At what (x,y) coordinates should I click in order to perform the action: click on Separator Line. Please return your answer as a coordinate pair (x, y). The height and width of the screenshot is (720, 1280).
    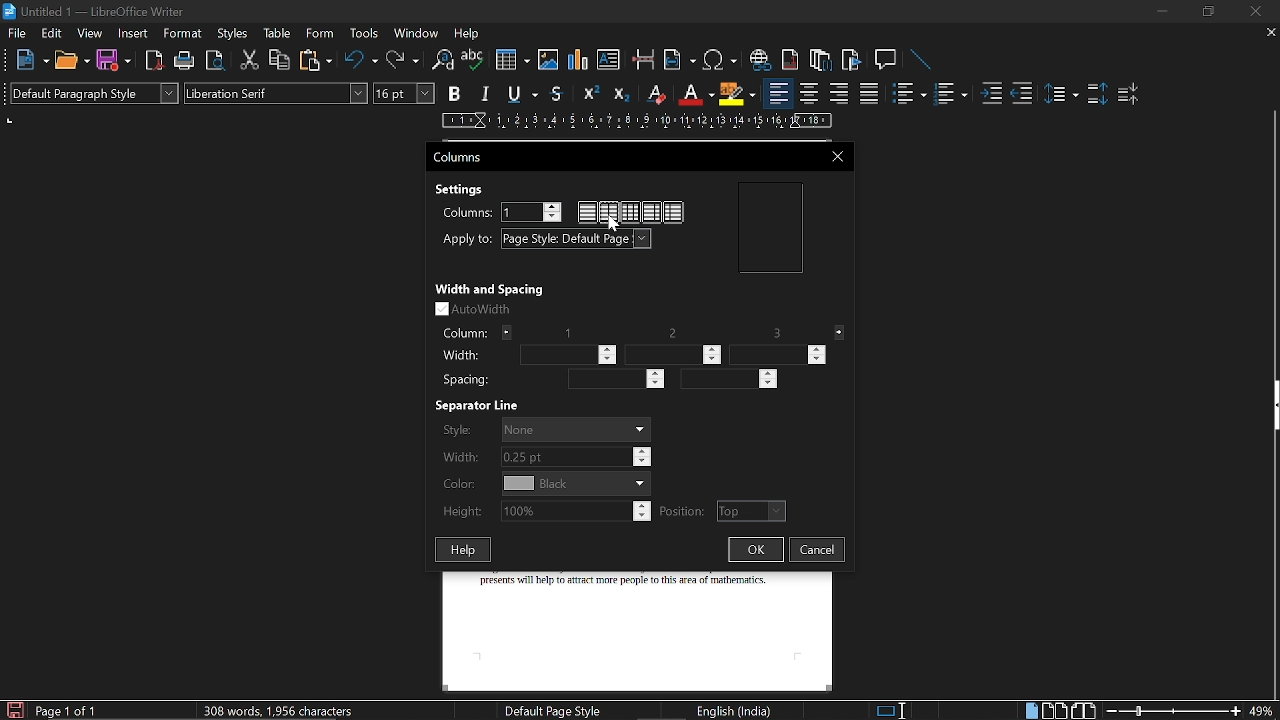
    Looking at the image, I should click on (483, 406).